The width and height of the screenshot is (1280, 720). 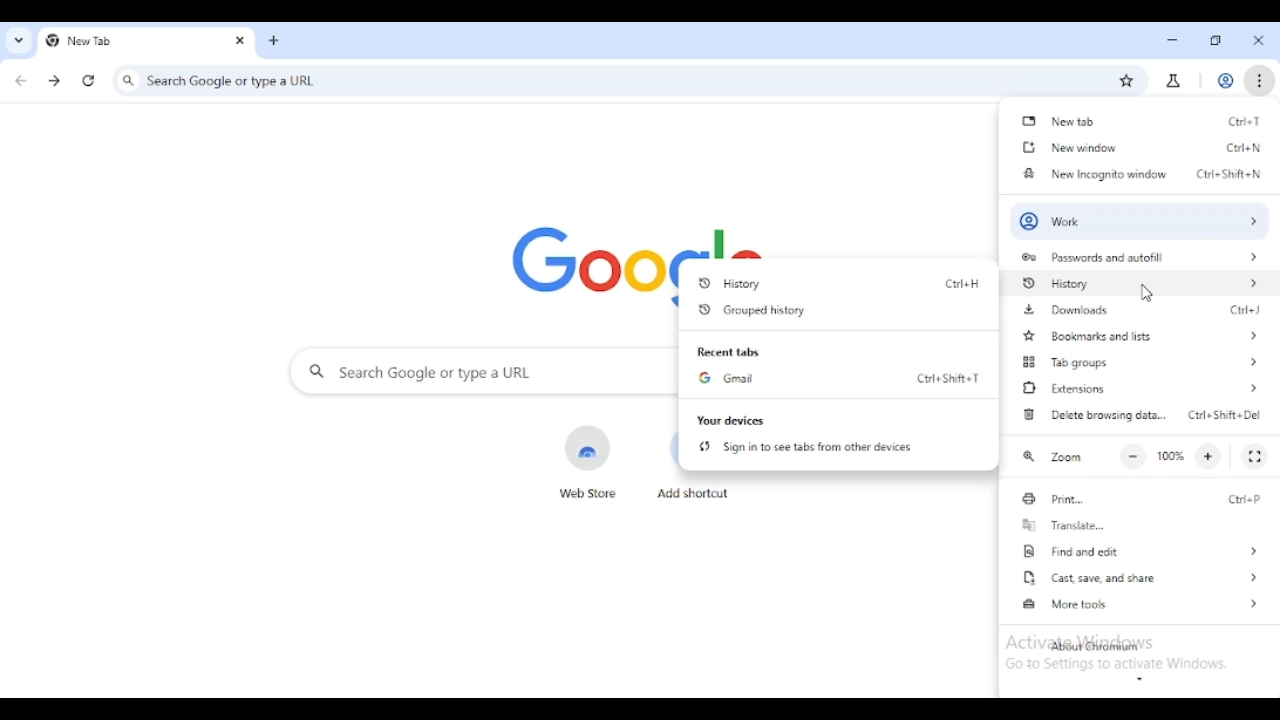 What do you see at coordinates (588, 461) in the screenshot?
I see `web store` at bounding box center [588, 461].